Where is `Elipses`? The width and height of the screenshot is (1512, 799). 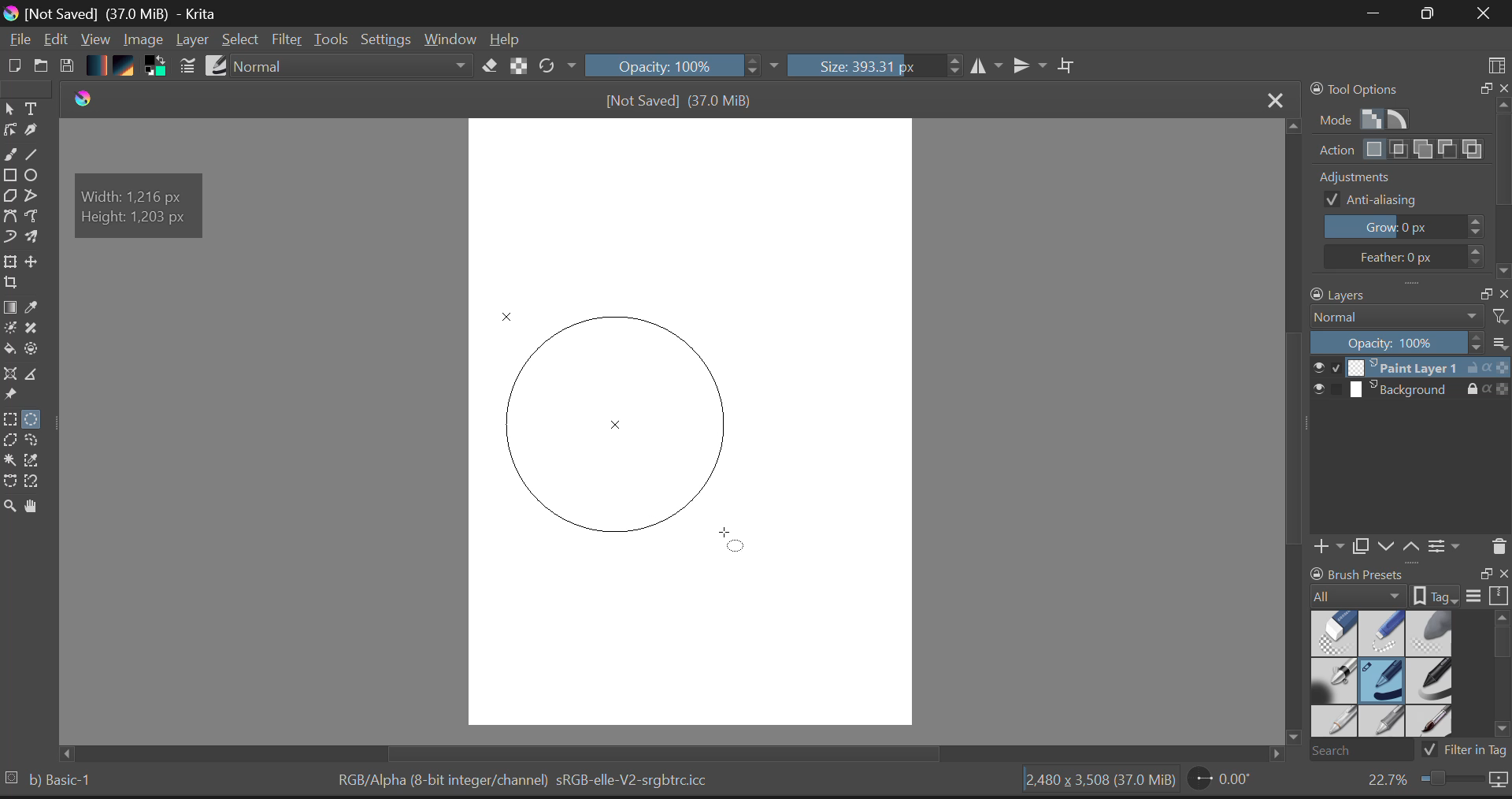
Elipses is located at coordinates (34, 177).